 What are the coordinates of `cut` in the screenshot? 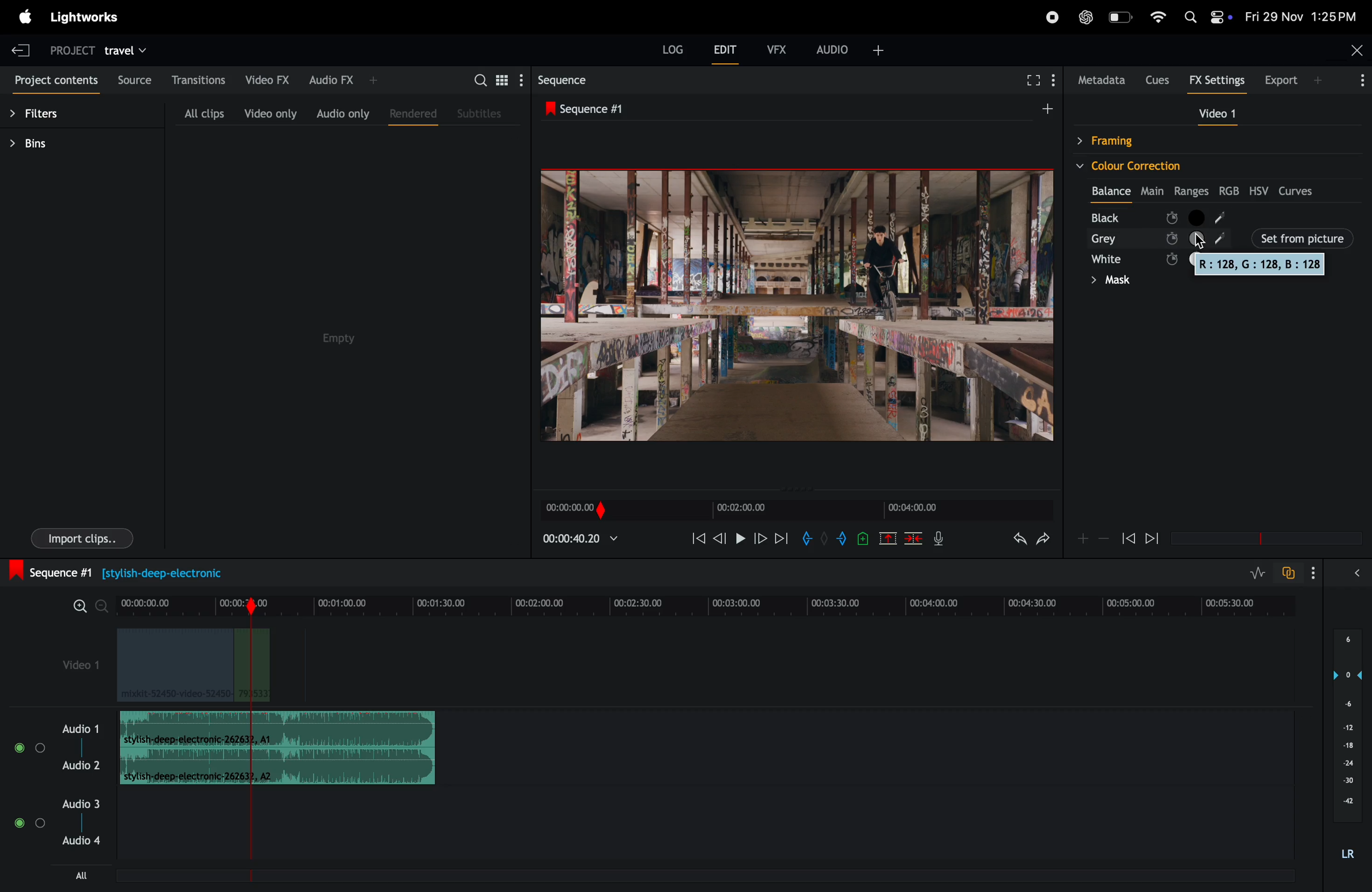 It's located at (887, 540).